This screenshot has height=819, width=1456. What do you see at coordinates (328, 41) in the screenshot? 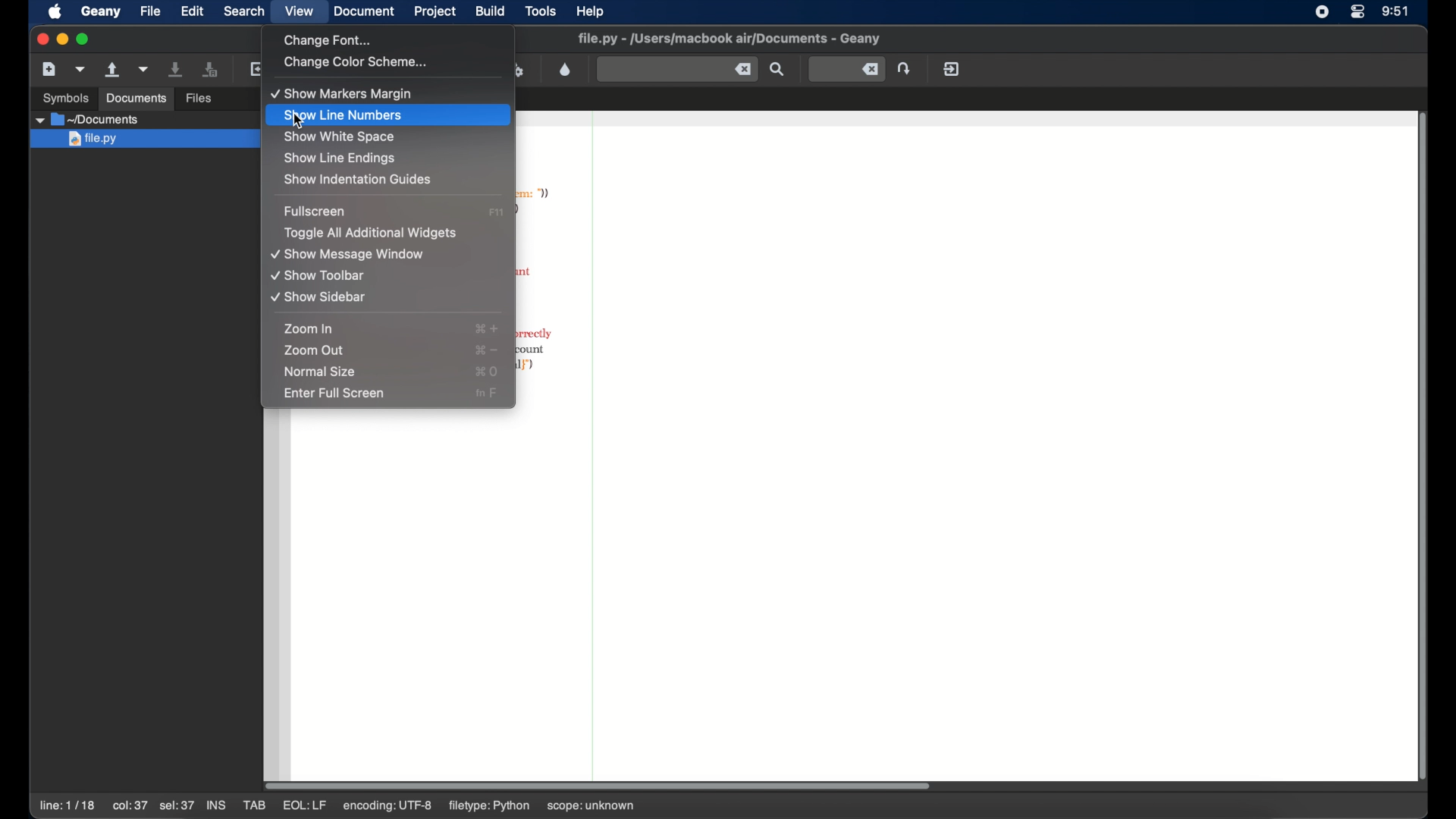
I see `change font` at bounding box center [328, 41].